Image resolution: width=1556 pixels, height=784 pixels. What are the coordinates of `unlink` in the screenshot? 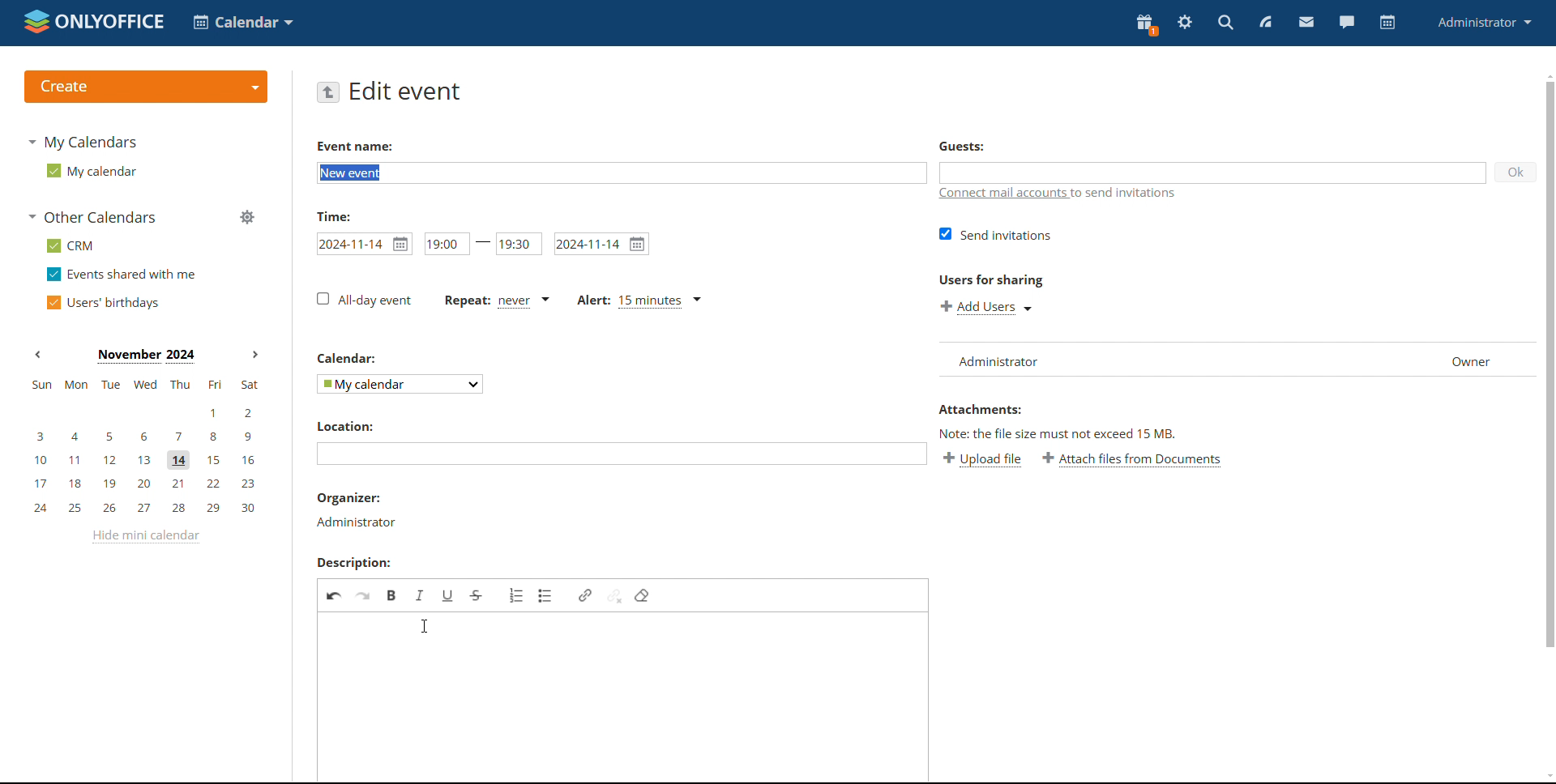 It's located at (614, 595).